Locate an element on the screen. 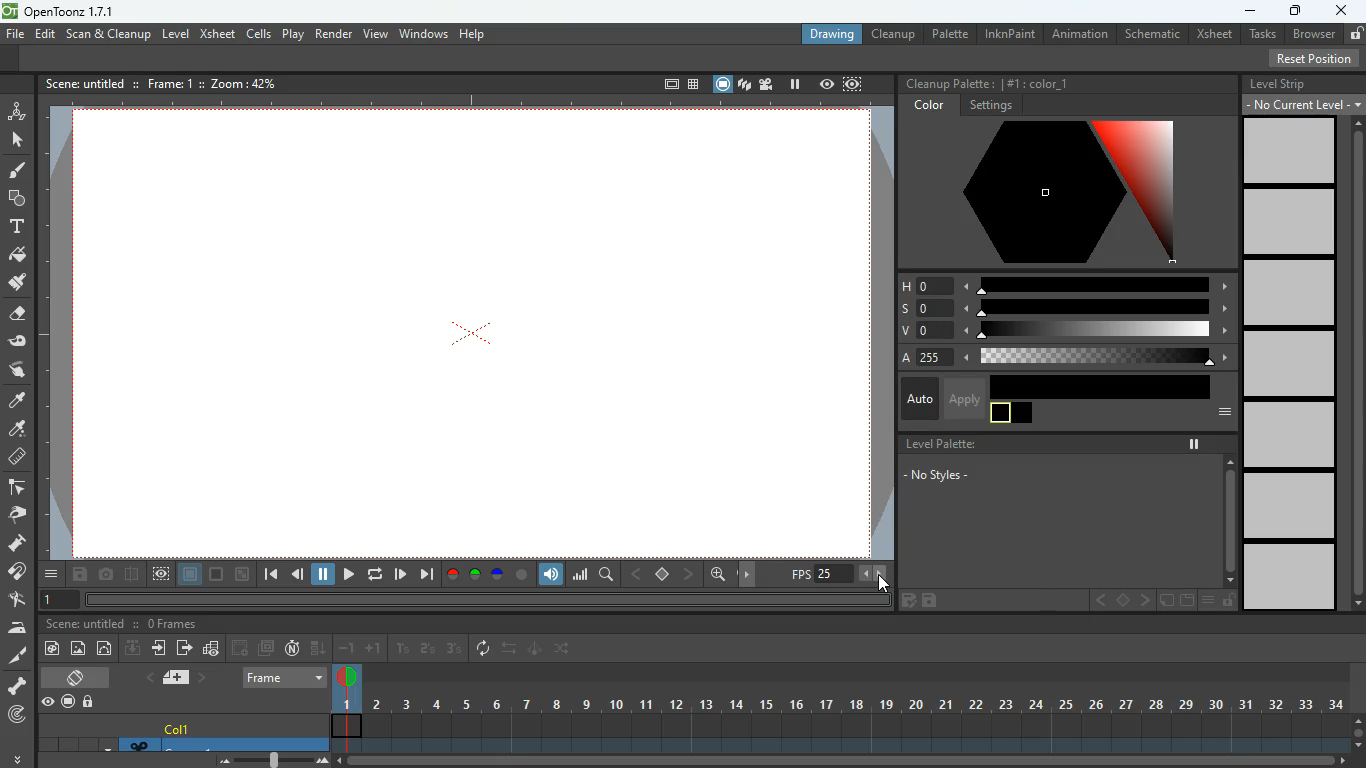 The image size is (1366, 768). settings is located at coordinates (987, 106).